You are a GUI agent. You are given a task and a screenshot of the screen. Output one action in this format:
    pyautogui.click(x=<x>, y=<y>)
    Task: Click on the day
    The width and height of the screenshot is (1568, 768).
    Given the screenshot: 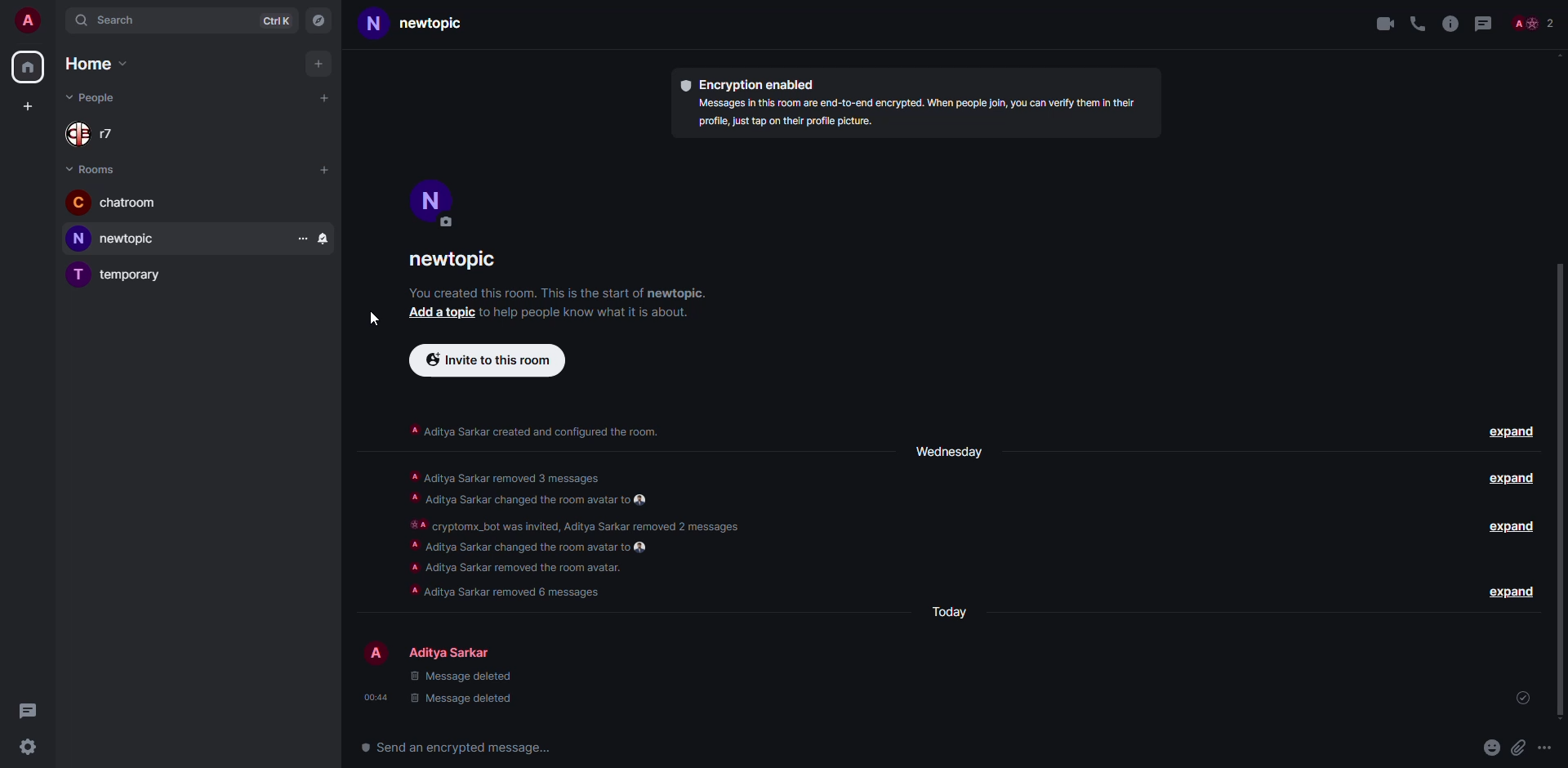 What is the action you would take?
    pyautogui.click(x=949, y=453)
    